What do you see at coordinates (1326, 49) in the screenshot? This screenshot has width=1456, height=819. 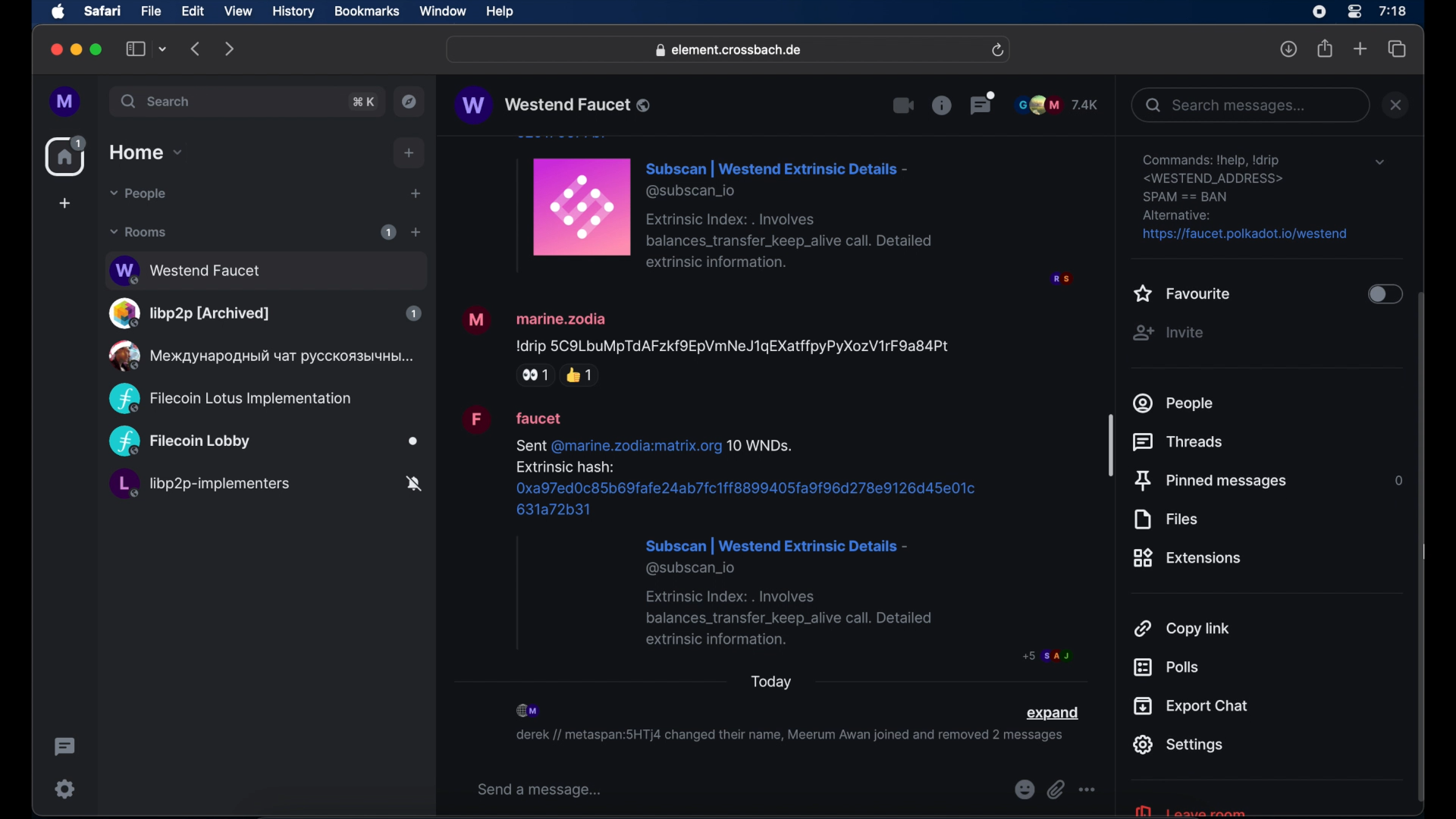 I see `share` at bounding box center [1326, 49].